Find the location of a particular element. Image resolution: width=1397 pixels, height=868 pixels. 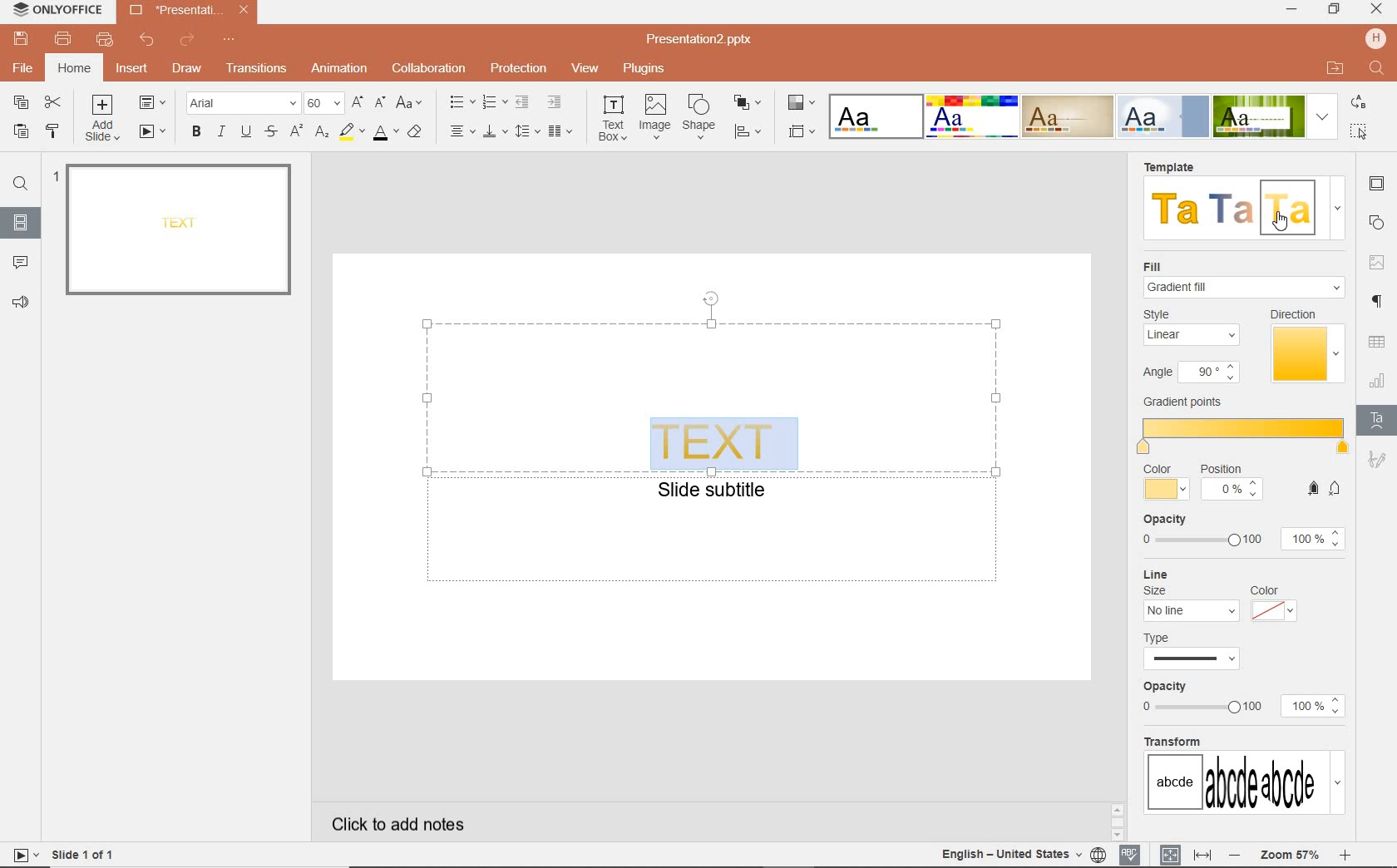

add gradient is located at coordinates (1335, 489).